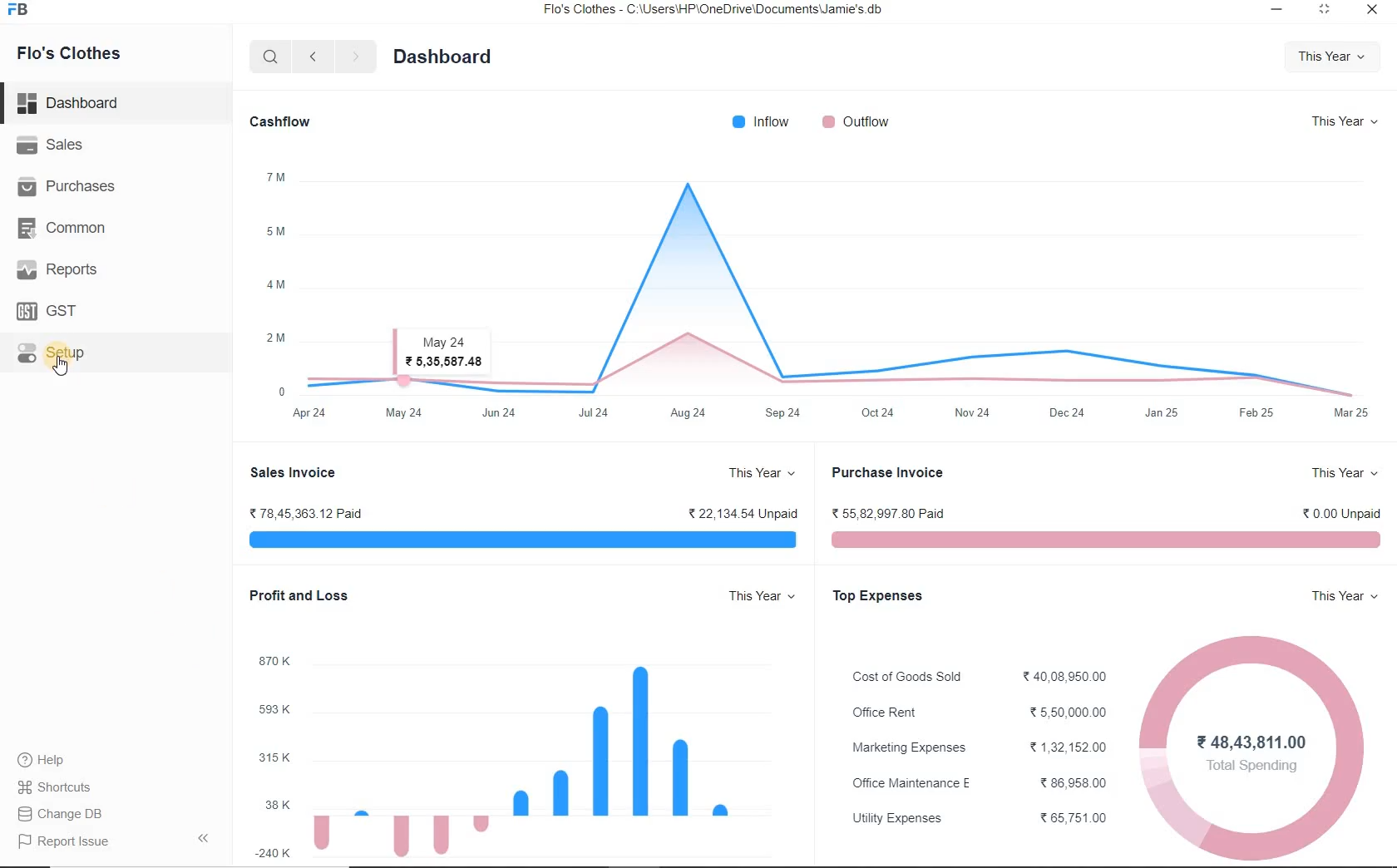 The image size is (1397, 868). What do you see at coordinates (312, 57) in the screenshot?
I see `previous` at bounding box center [312, 57].